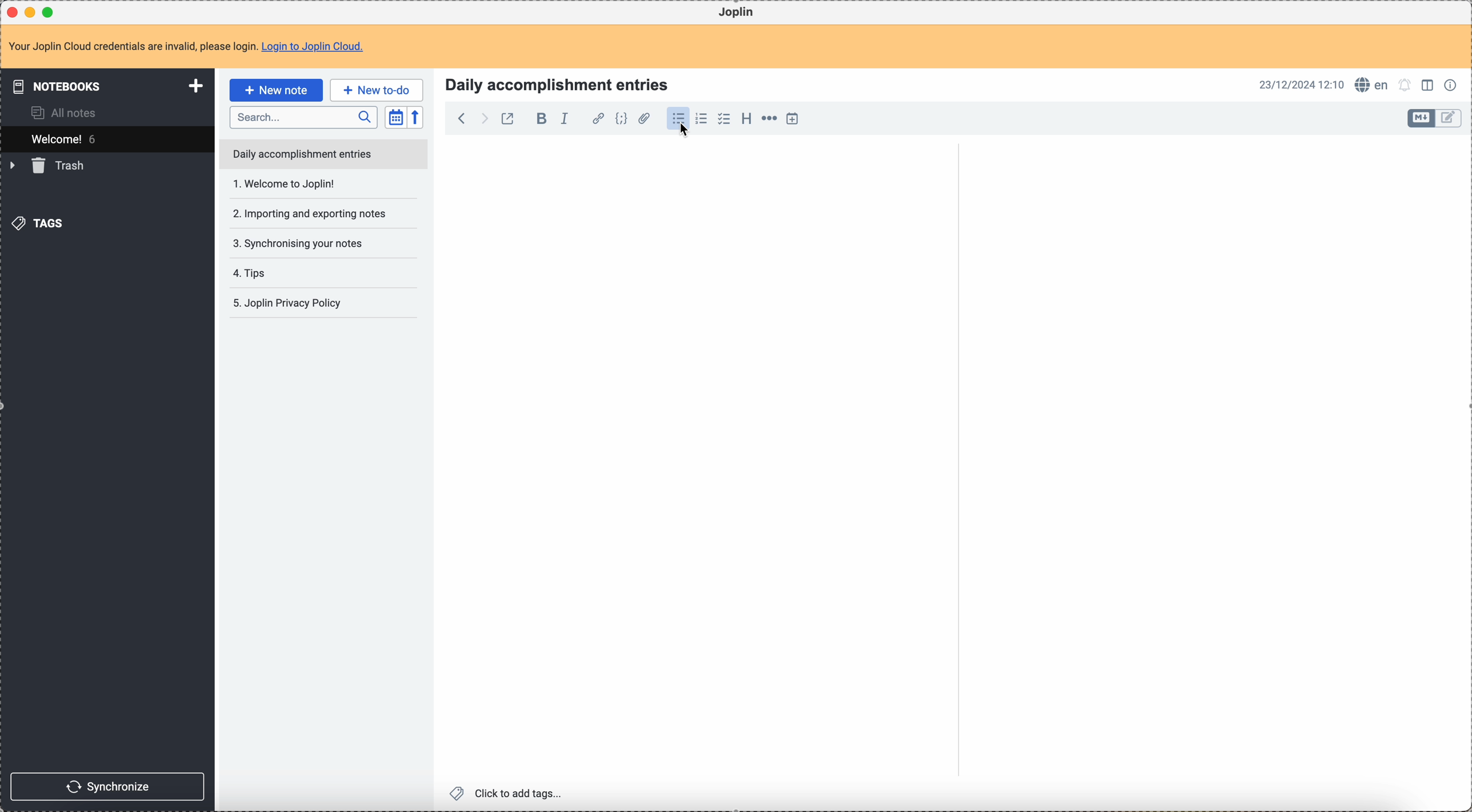 Image resolution: width=1472 pixels, height=812 pixels. Describe the element at coordinates (14, 12) in the screenshot. I see `close Joplin` at that location.